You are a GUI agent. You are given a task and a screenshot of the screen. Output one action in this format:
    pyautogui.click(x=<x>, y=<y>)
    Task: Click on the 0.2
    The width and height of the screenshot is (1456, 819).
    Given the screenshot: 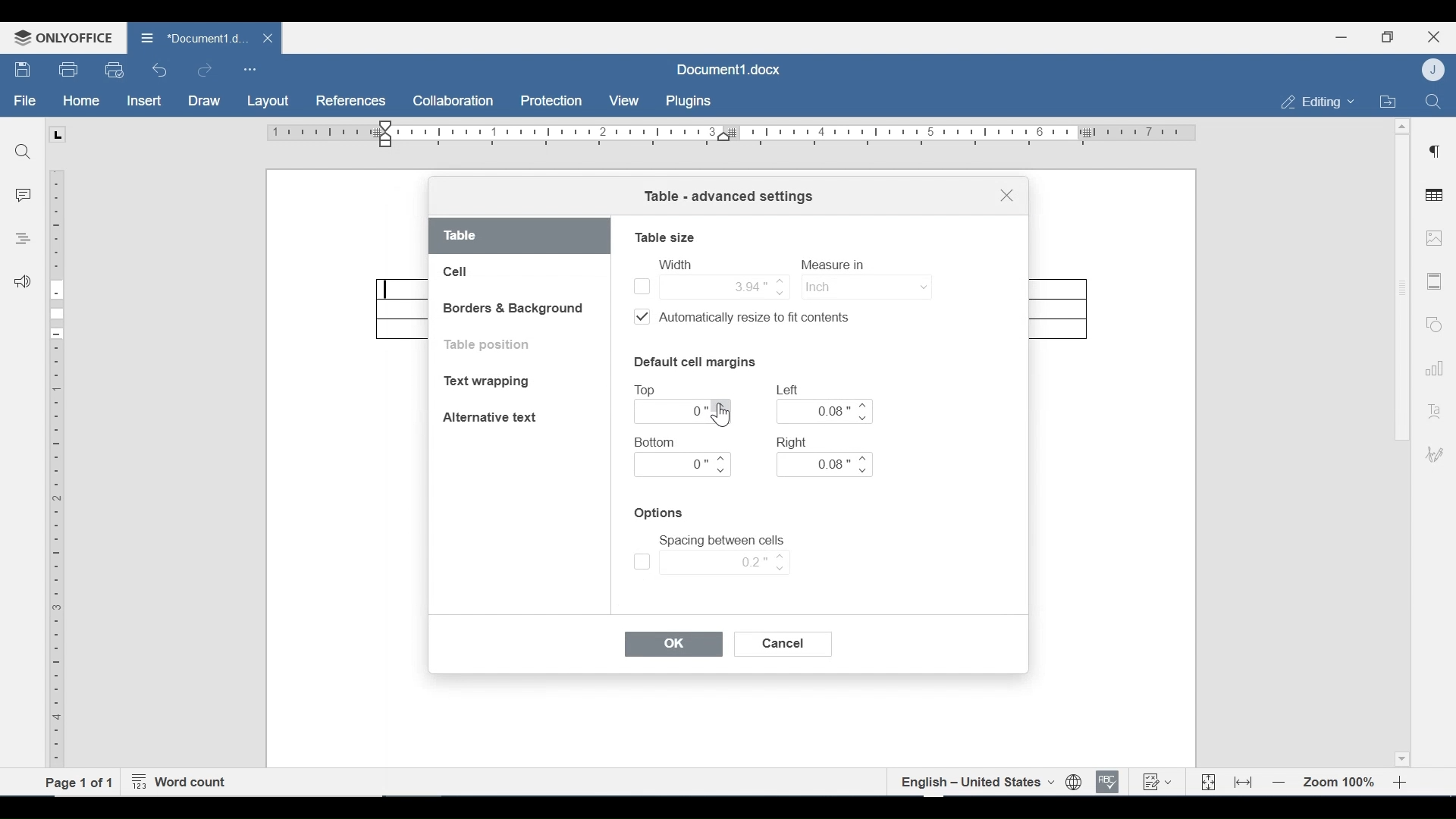 What is the action you would take?
    pyautogui.click(x=684, y=412)
    